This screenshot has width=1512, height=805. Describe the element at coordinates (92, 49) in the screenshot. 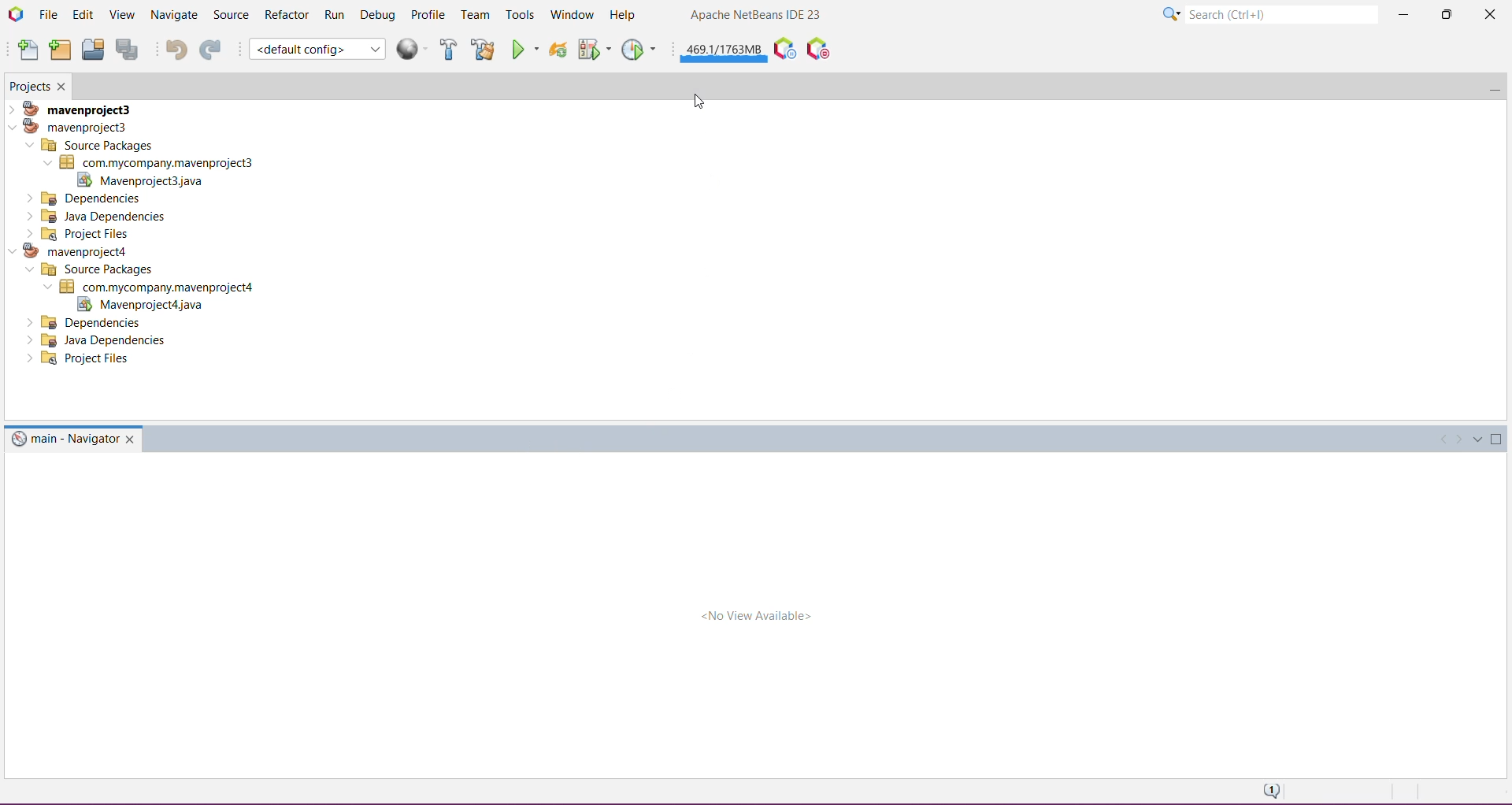

I see `Open Project` at that location.